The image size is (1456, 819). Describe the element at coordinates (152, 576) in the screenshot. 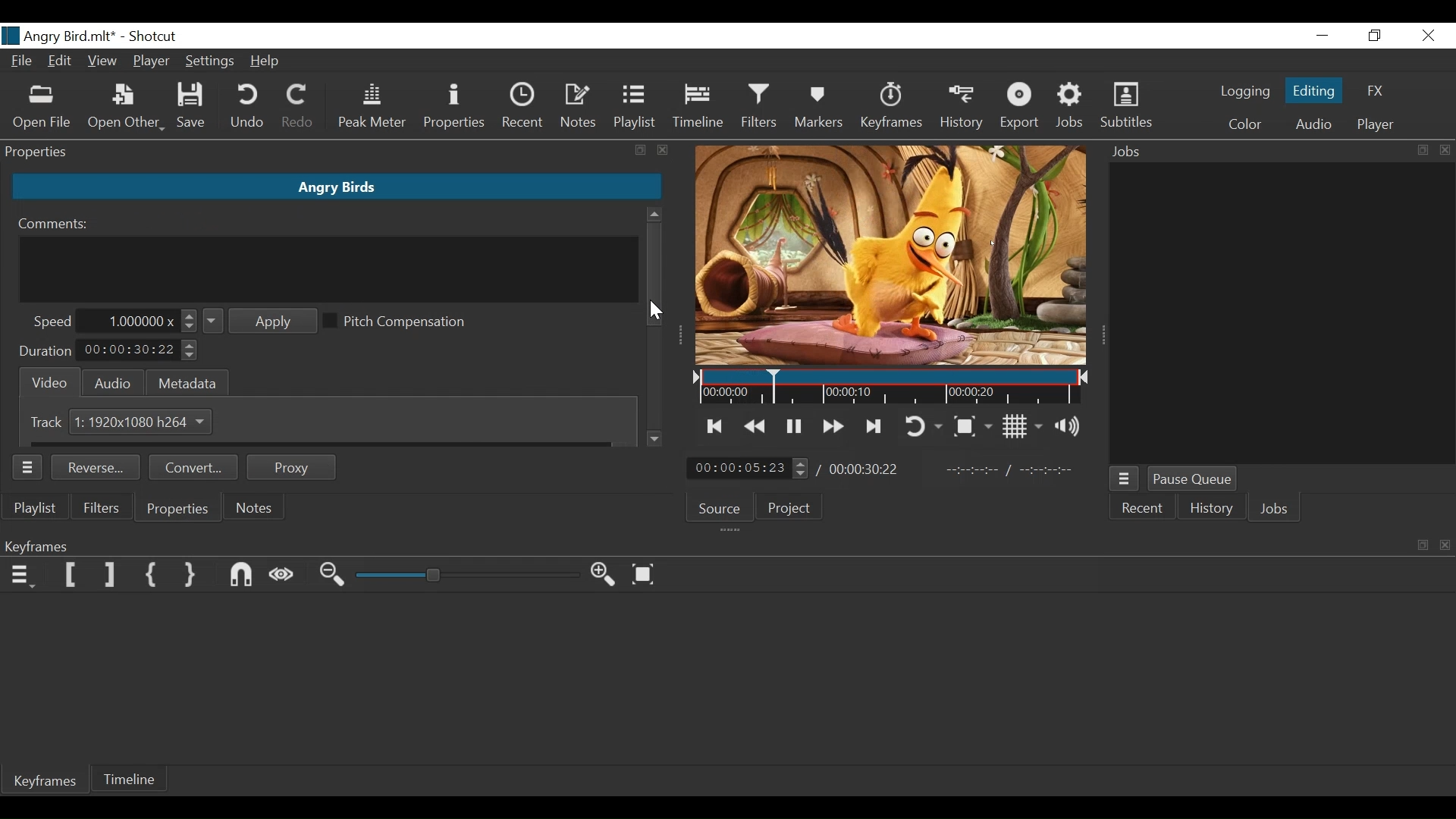

I see `Set First Simple keyframe` at that location.